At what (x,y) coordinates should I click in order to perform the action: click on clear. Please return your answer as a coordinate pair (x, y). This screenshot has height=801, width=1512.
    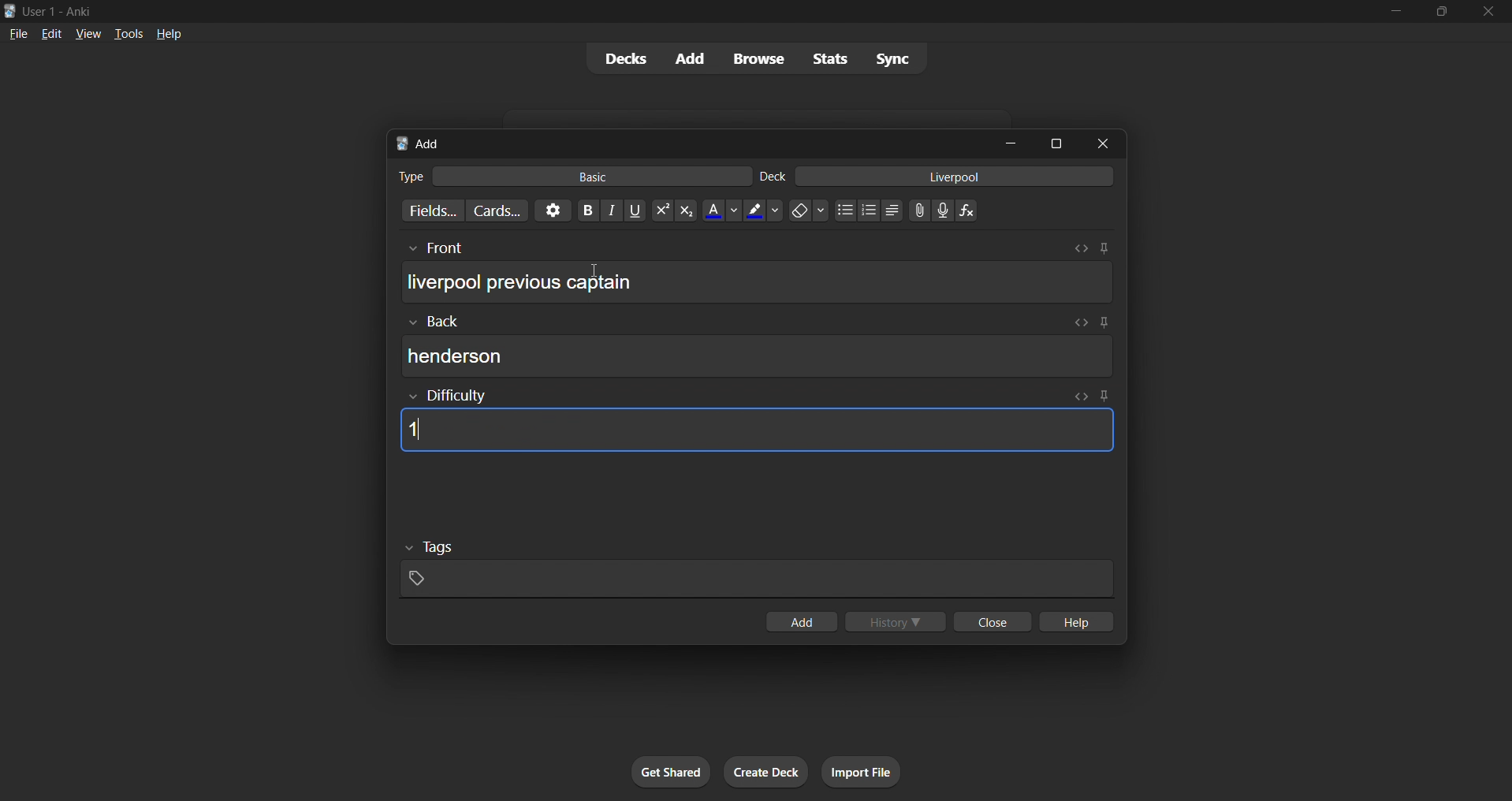
    Looking at the image, I should click on (808, 210).